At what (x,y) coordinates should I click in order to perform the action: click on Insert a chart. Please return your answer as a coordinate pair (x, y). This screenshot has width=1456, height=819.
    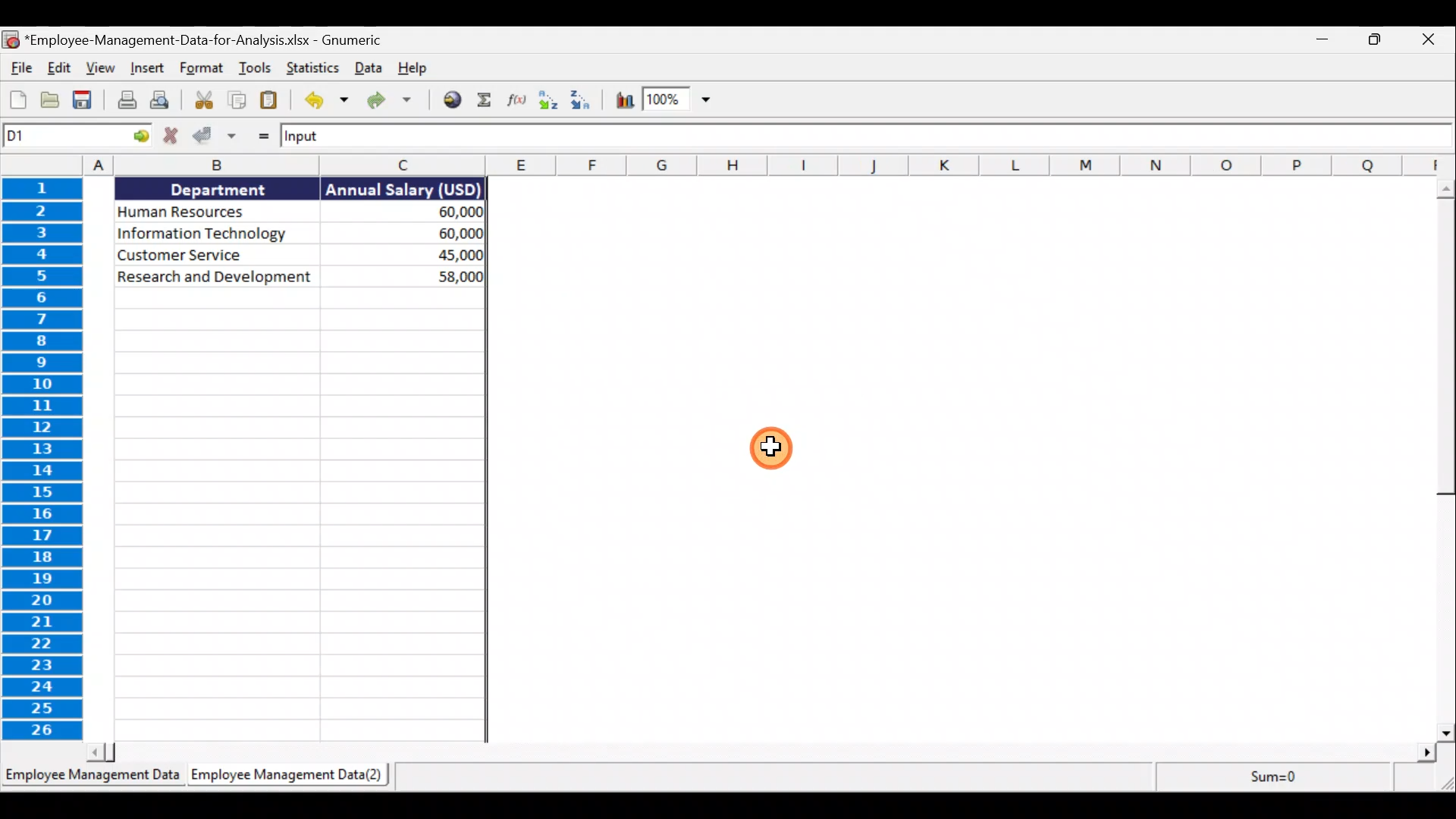
    Looking at the image, I should click on (624, 102).